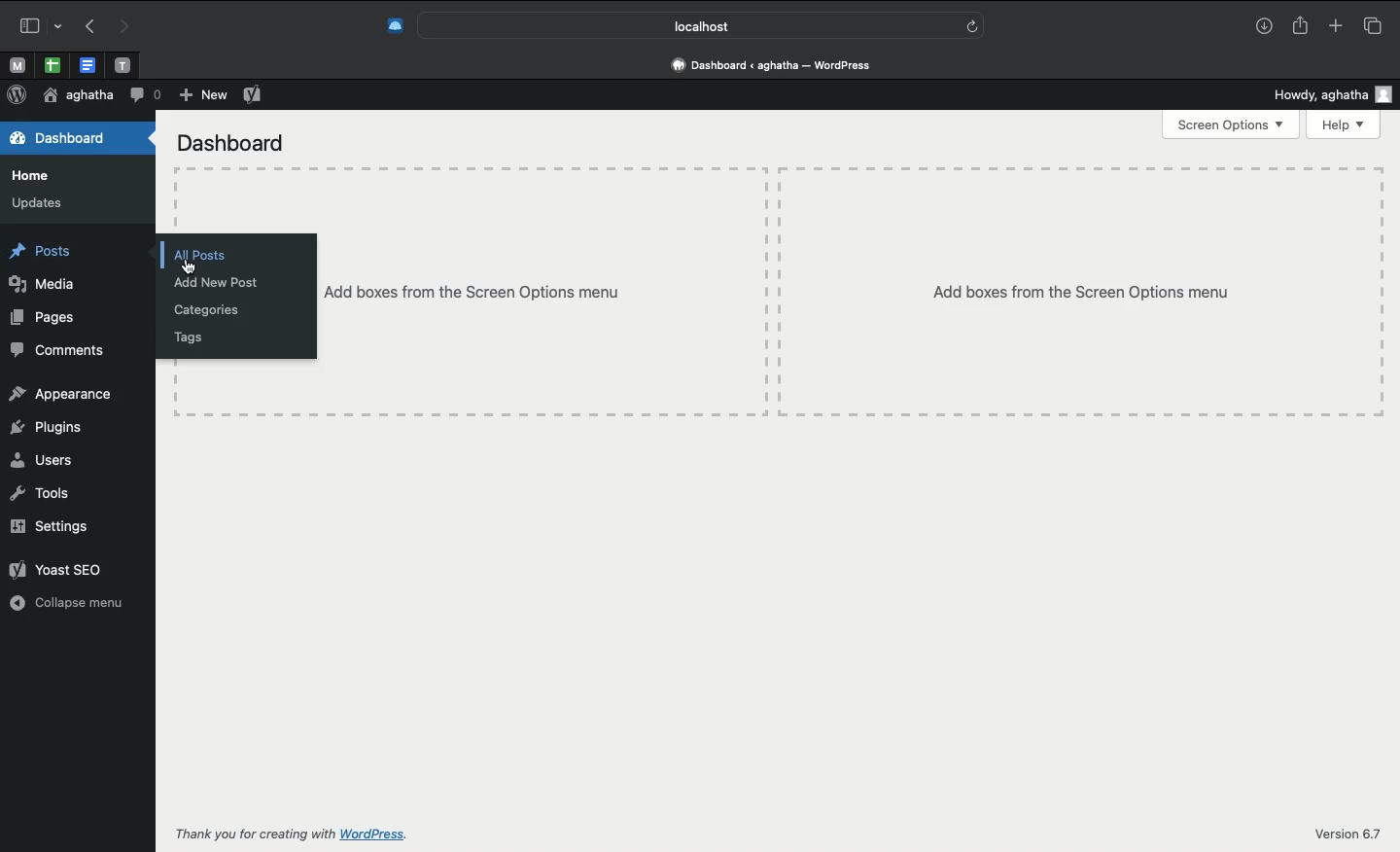  Describe the element at coordinates (145, 93) in the screenshot. I see `Comment` at that location.